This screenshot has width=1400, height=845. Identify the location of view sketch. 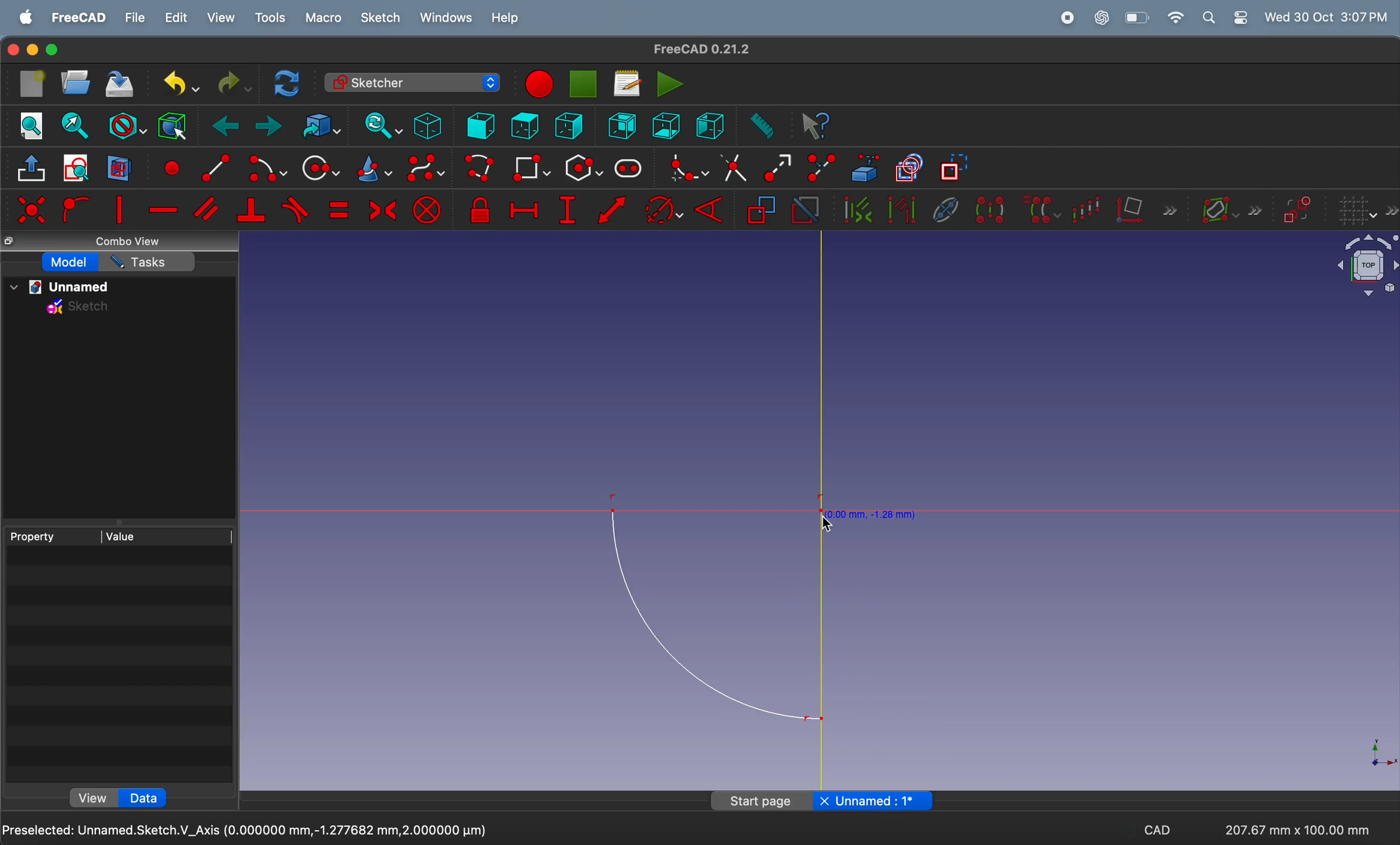
(79, 169).